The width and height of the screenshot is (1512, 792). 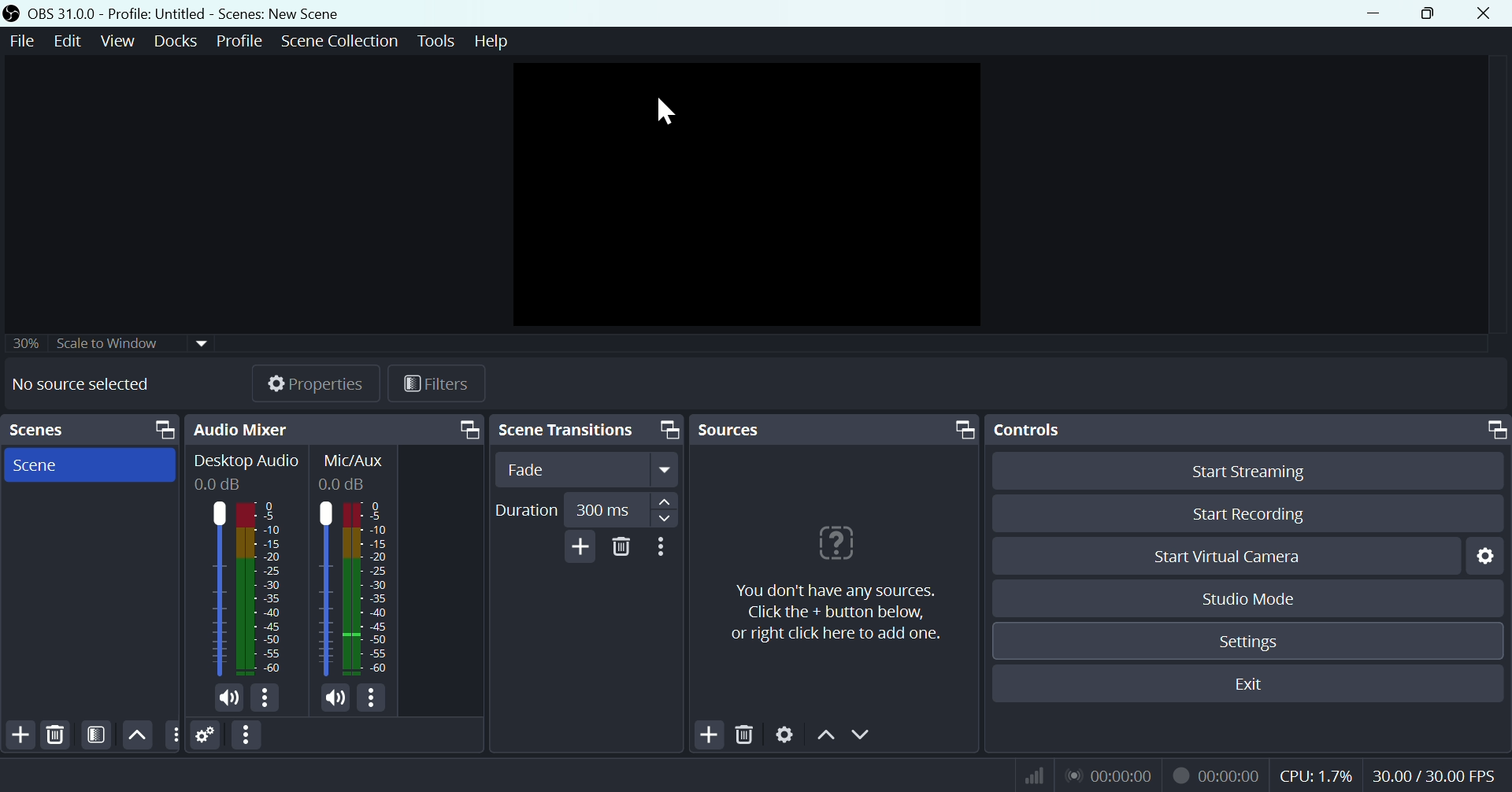 I want to click on Settings, so click(x=1246, y=642).